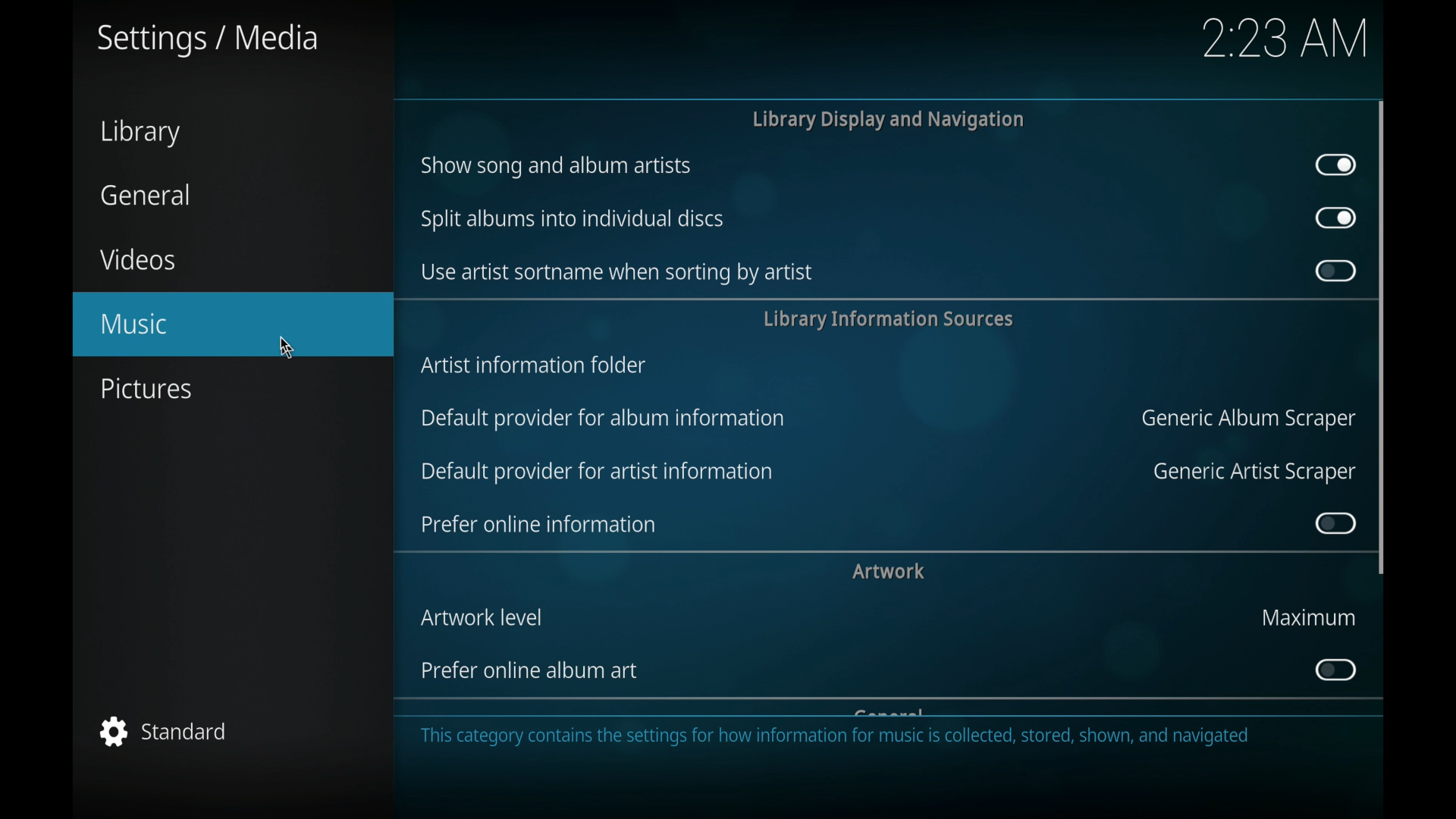 The height and width of the screenshot is (819, 1456). I want to click on toggle button, so click(1335, 218).